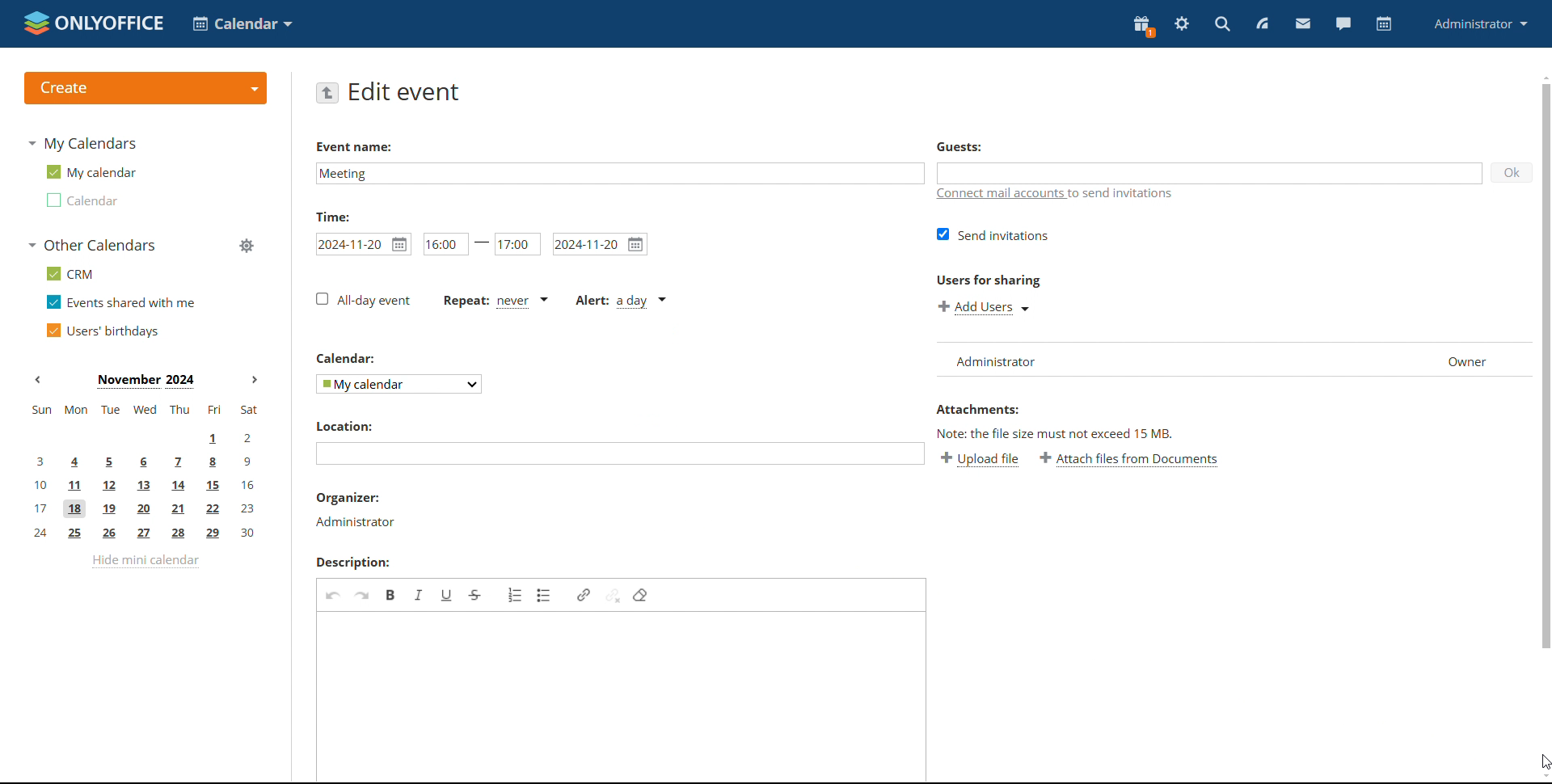 This screenshot has width=1552, height=784. What do you see at coordinates (333, 594) in the screenshot?
I see `undo` at bounding box center [333, 594].